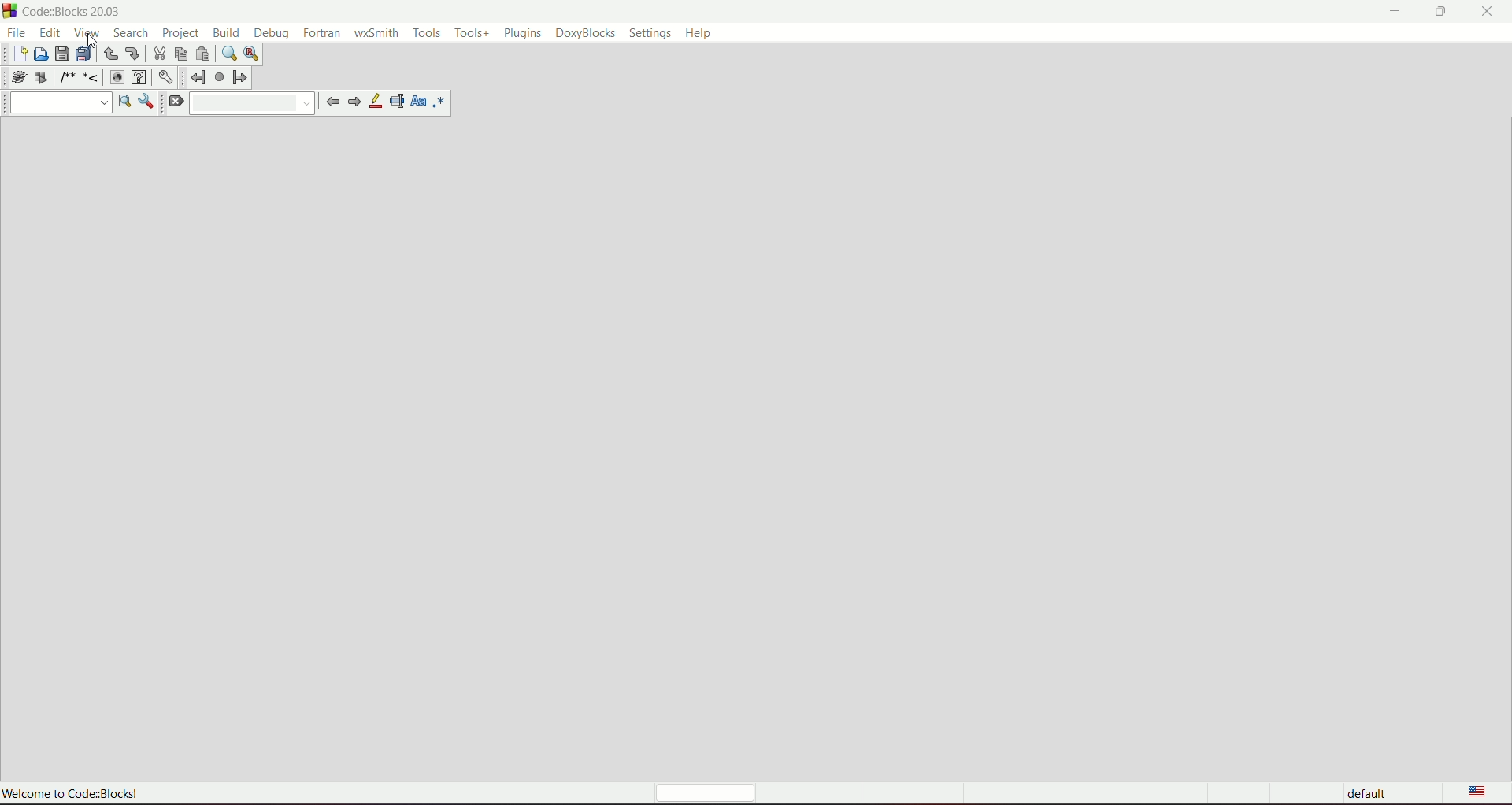 This screenshot has width=1512, height=805. What do you see at coordinates (1395, 10) in the screenshot?
I see `minimize` at bounding box center [1395, 10].